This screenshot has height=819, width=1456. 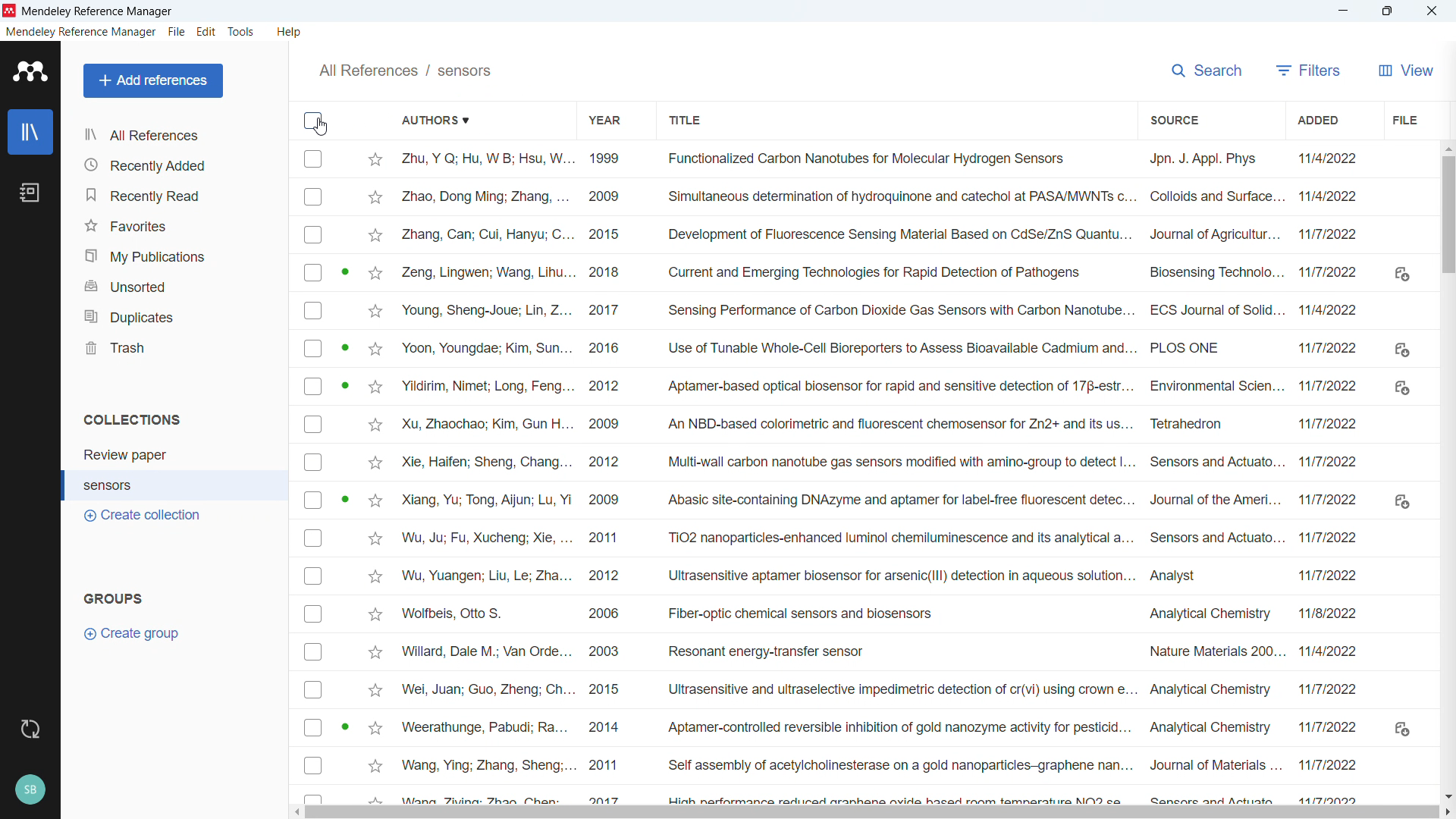 I want to click on PDF available, so click(x=344, y=726).